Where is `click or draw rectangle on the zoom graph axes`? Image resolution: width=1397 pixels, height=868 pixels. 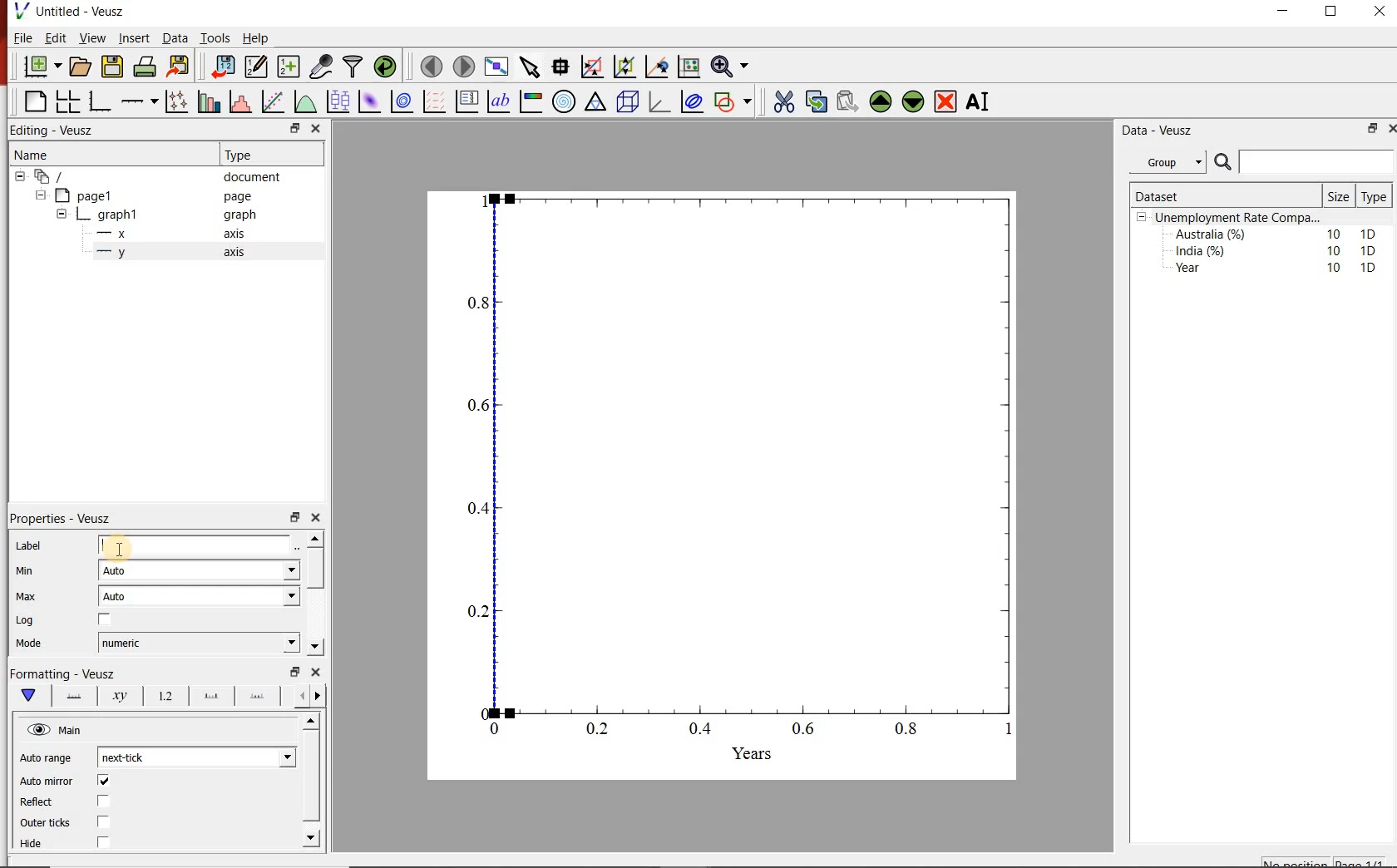
click or draw rectangle on the zoom graph axes is located at coordinates (593, 67).